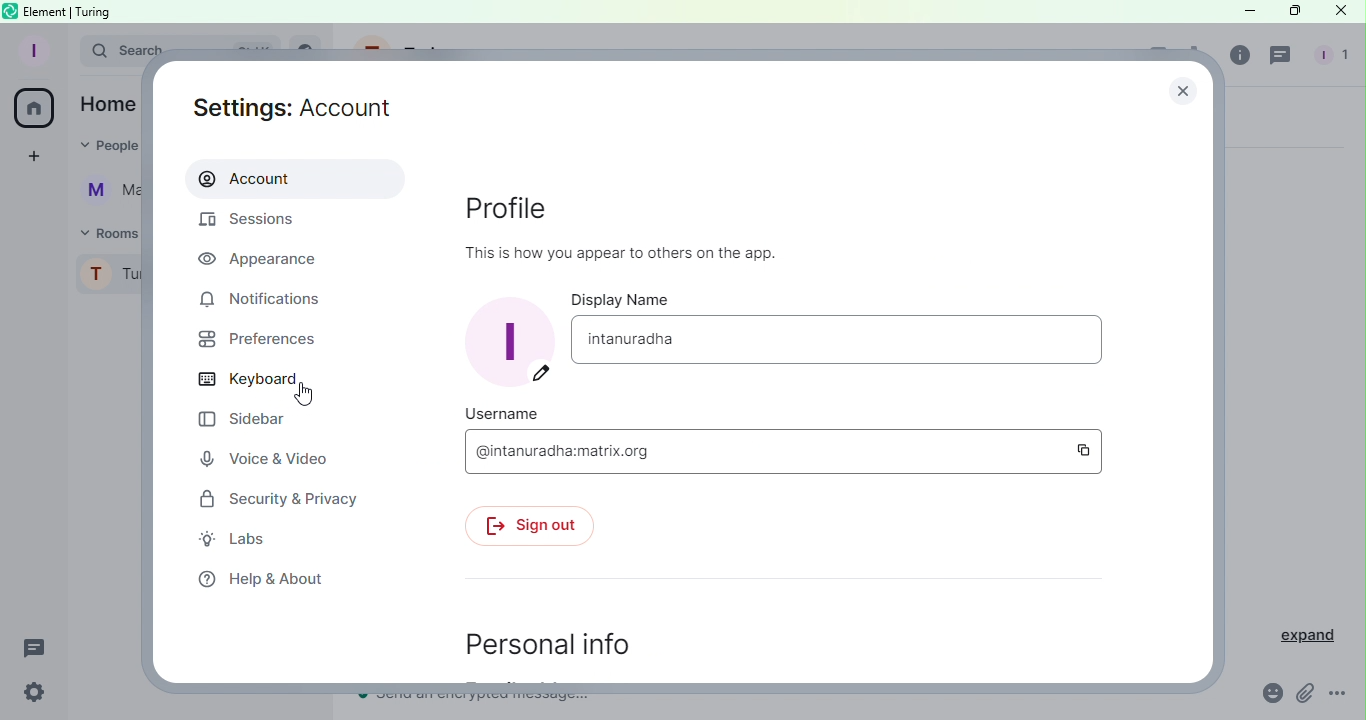 The width and height of the screenshot is (1366, 720). Describe the element at coordinates (38, 650) in the screenshot. I see `Threads` at that location.